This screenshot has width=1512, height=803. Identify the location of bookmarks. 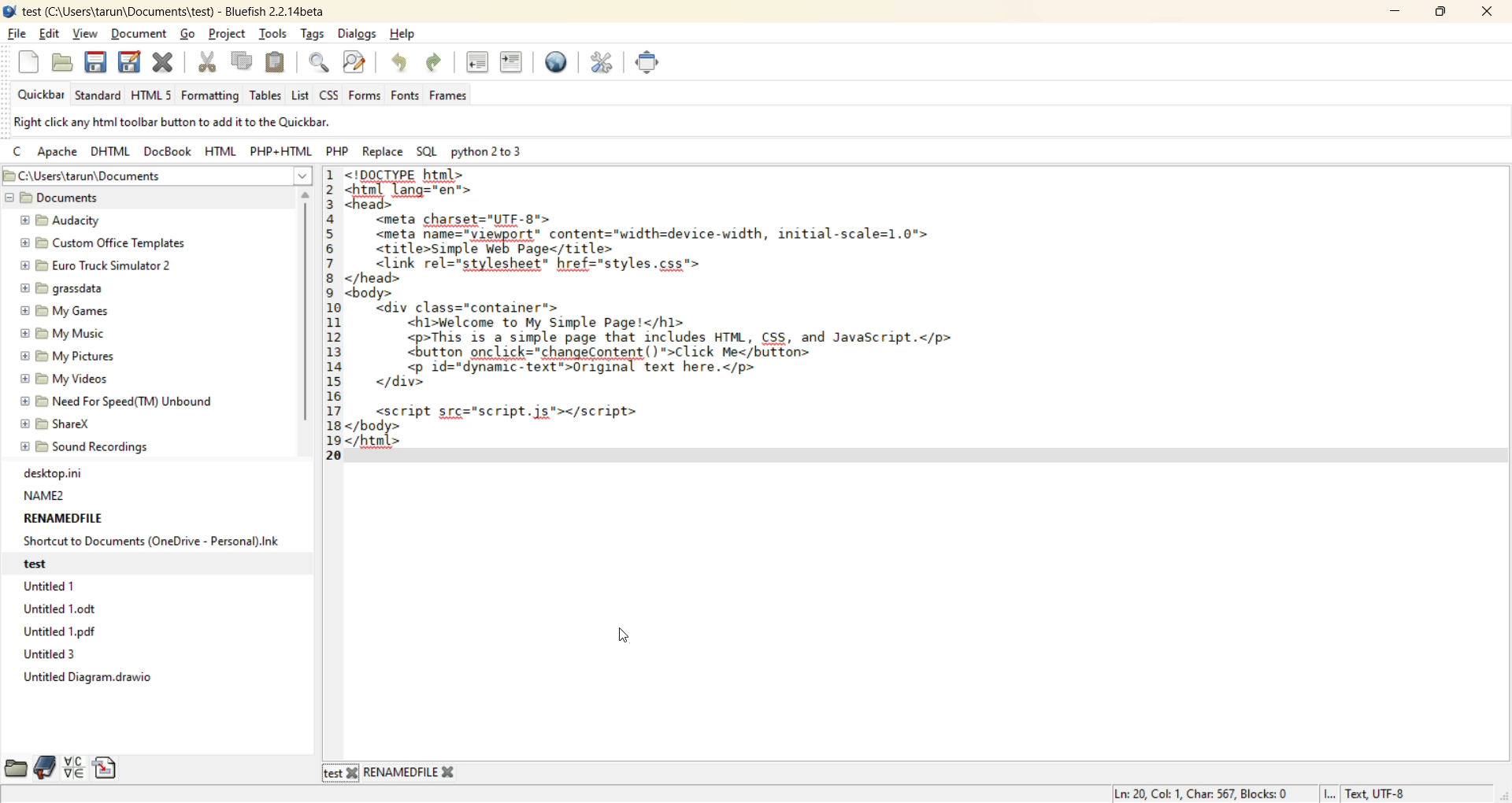
(43, 771).